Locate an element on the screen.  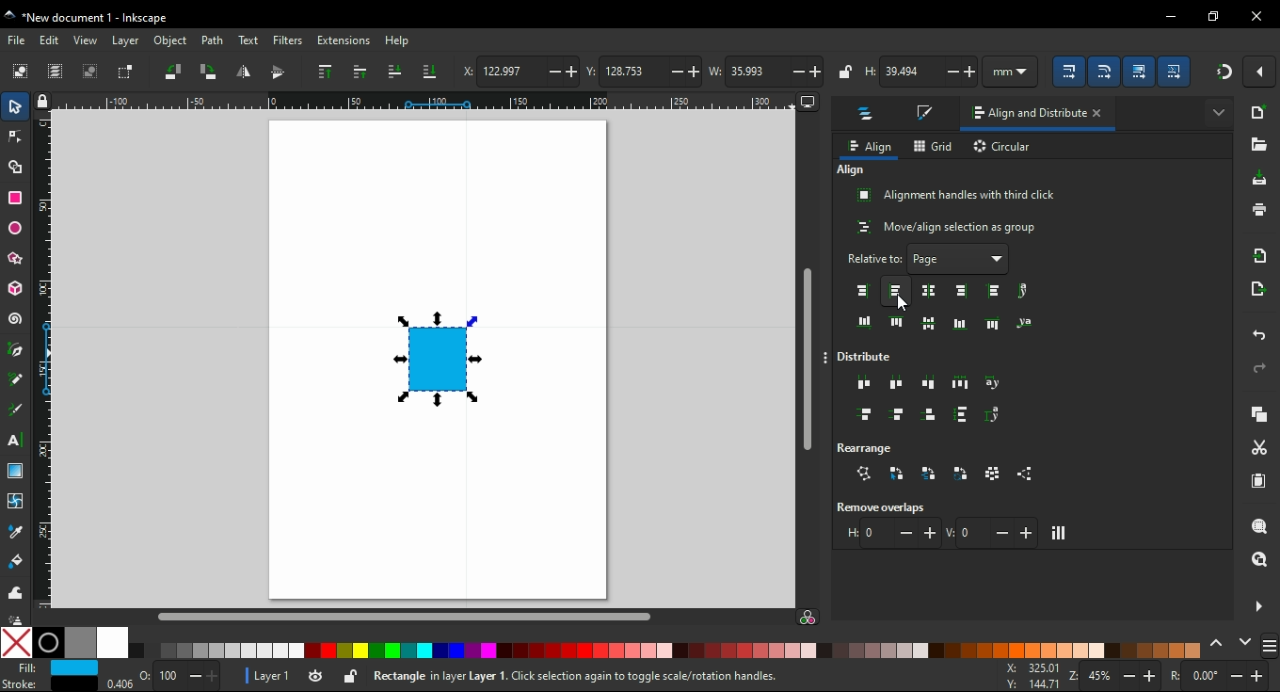
align text anchors horizontally is located at coordinates (1030, 320).